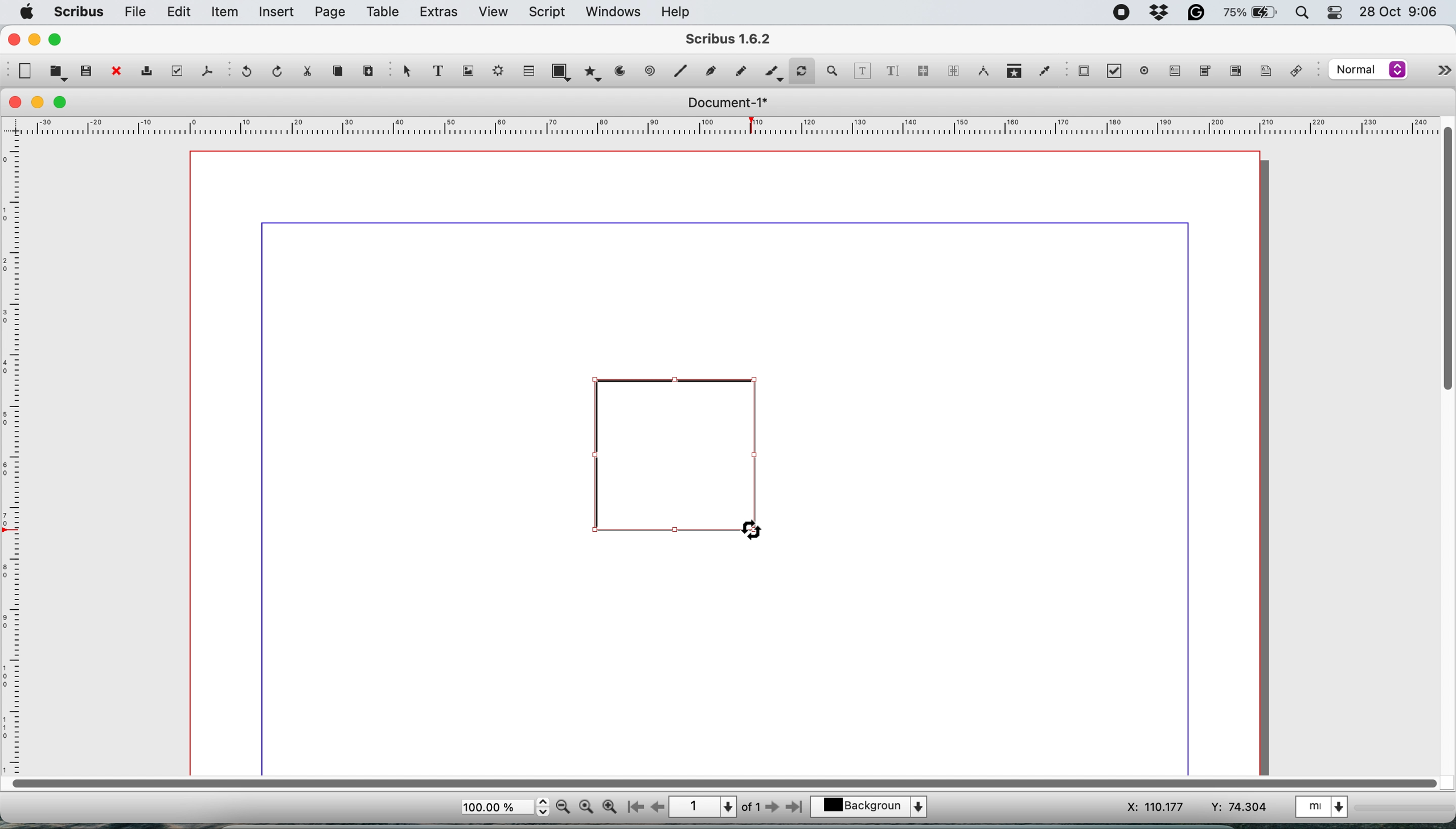 The width and height of the screenshot is (1456, 829). Describe the element at coordinates (330, 13) in the screenshot. I see `page` at that location.